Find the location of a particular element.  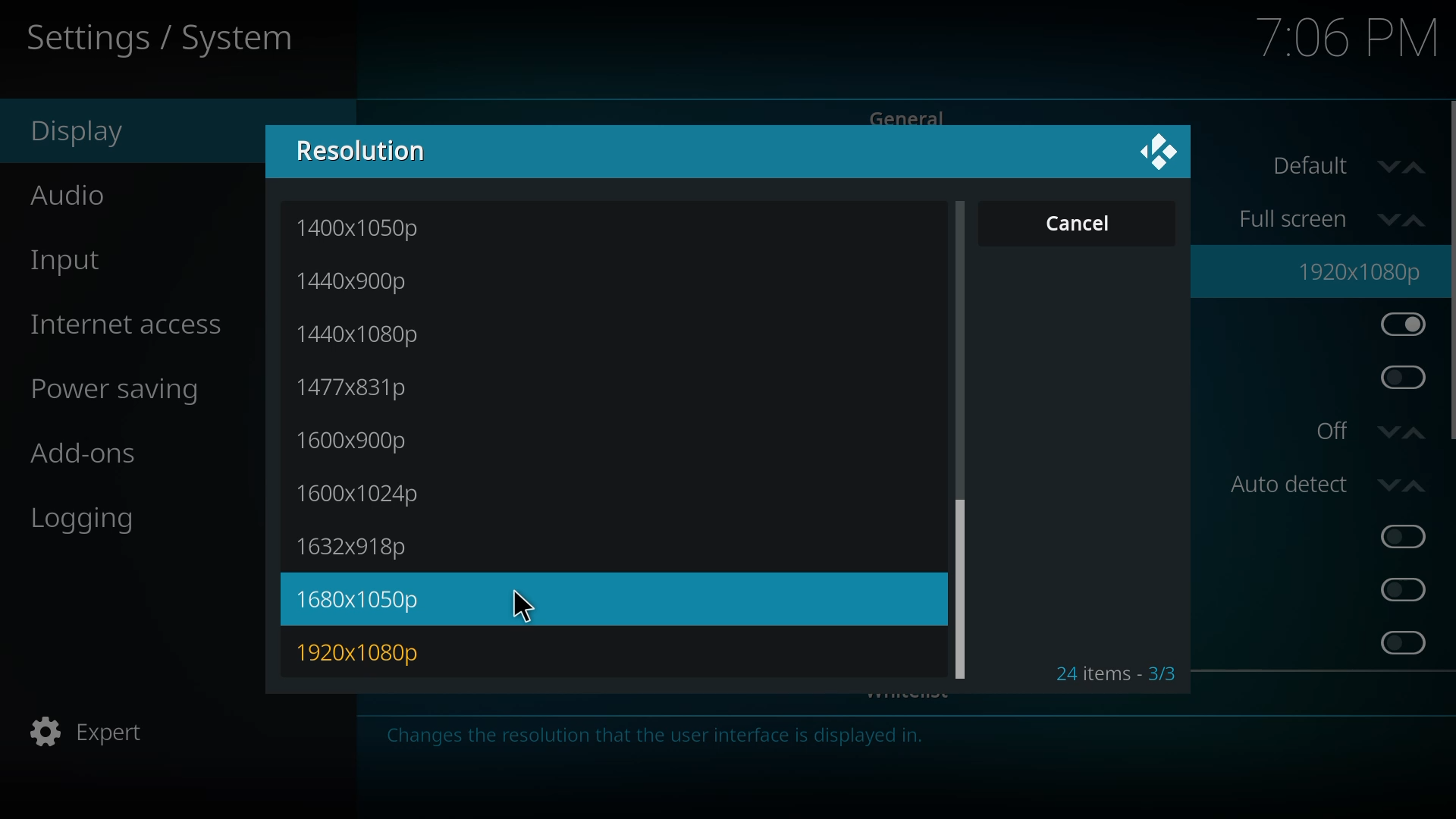

logging is located at coordinates (93, 522).